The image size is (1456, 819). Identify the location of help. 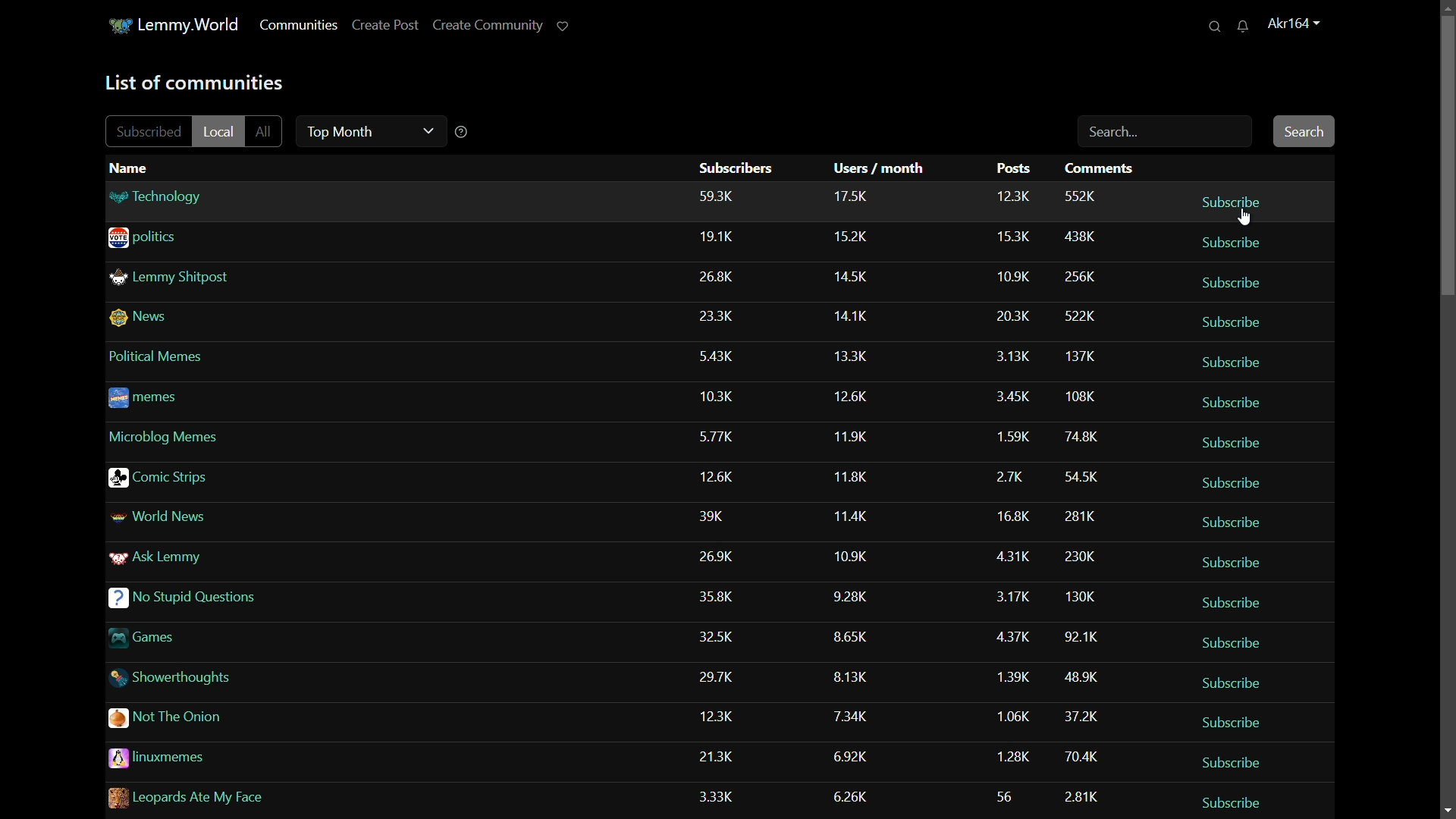
(462, 131).